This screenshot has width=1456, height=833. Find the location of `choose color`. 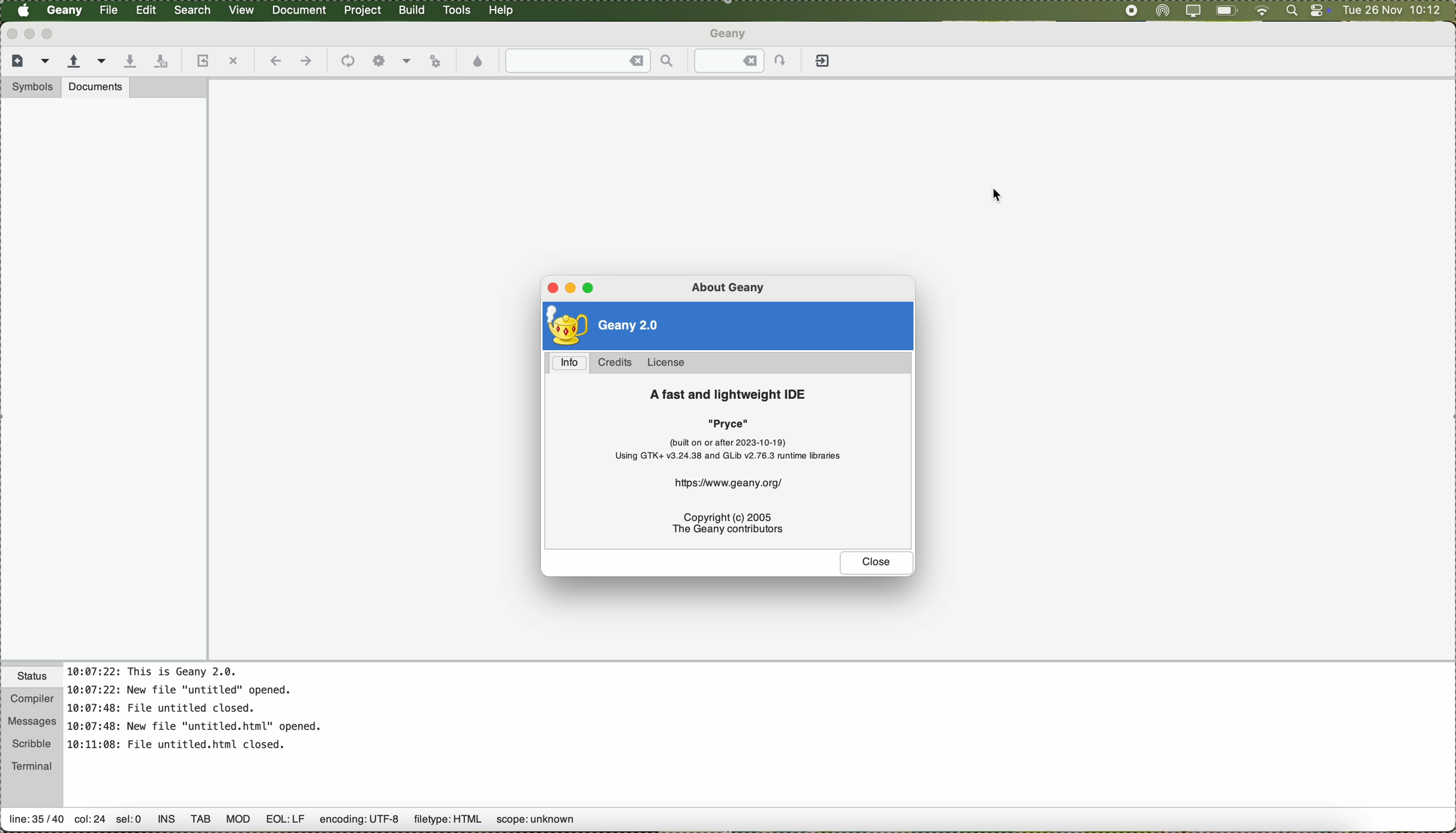

choose color is located at coordinates (479, 62).